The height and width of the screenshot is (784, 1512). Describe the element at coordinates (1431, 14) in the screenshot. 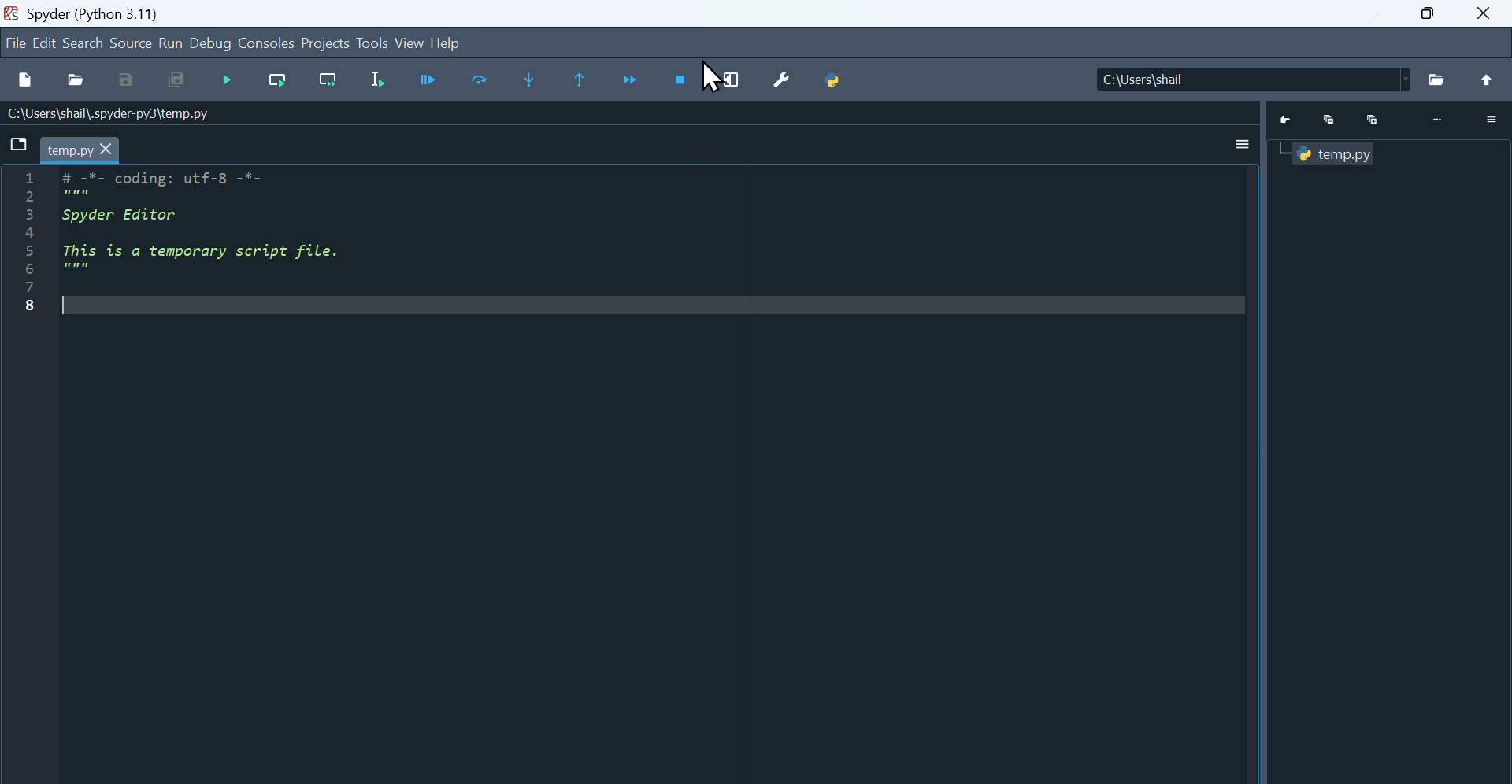

I see `Maximise` at that location.